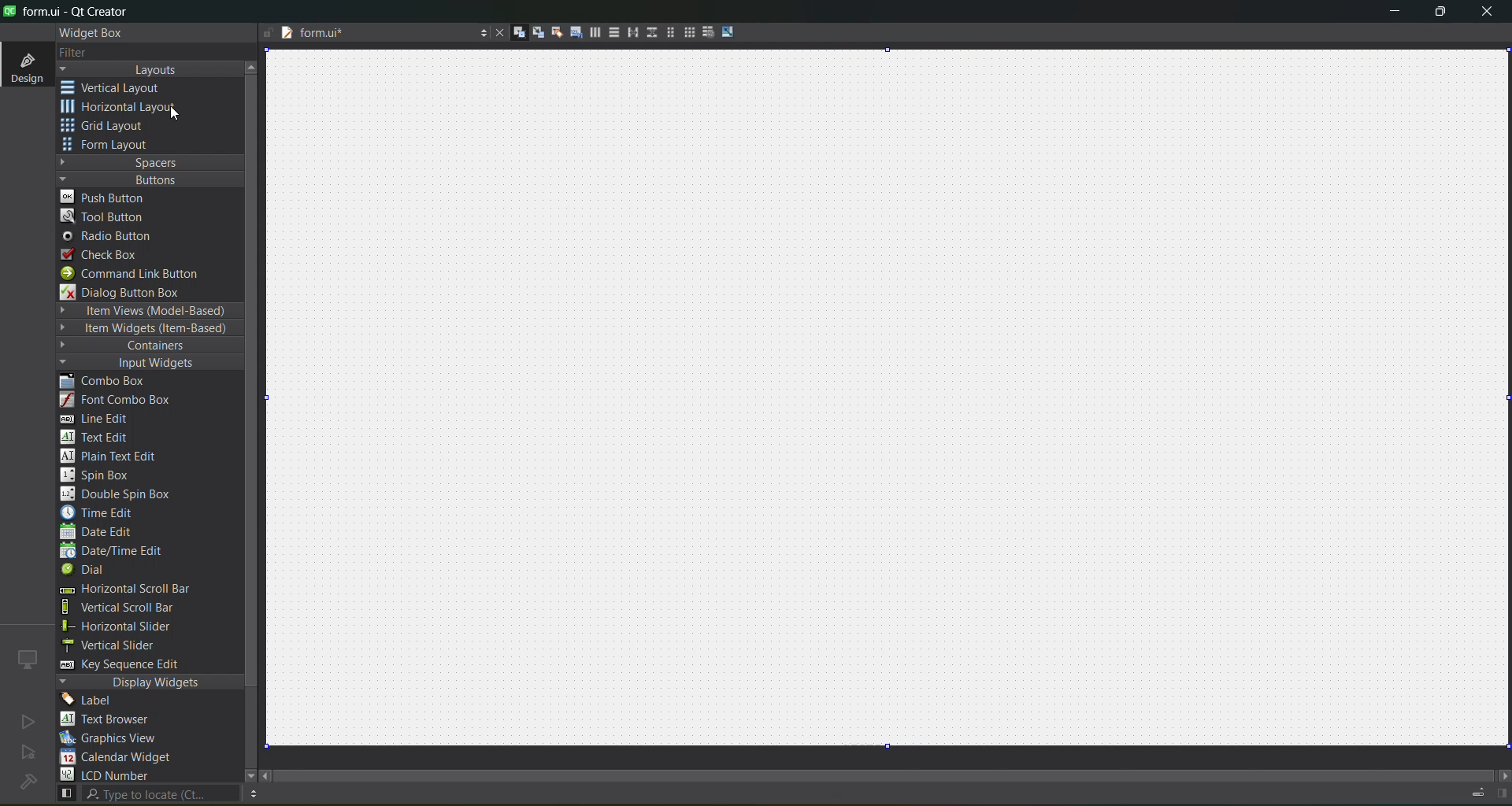 The height and width of the screenshot is (806, 1512). What do you see at coordinates (28, 721) in the screenshot?
I see `no active project` at bounding box center [28, 721].